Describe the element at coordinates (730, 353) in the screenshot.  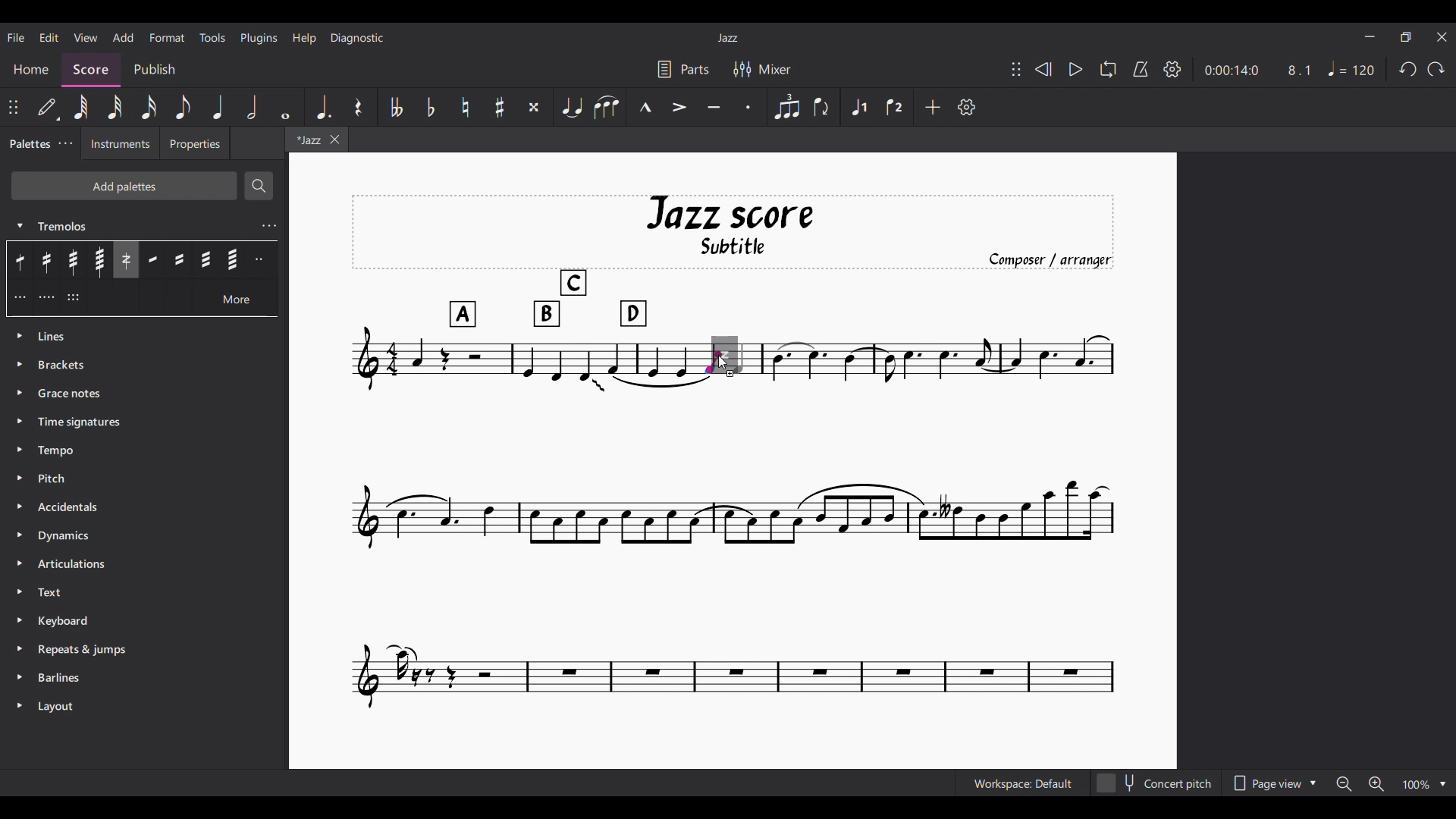
I see `Preview of element to be added` at that location.